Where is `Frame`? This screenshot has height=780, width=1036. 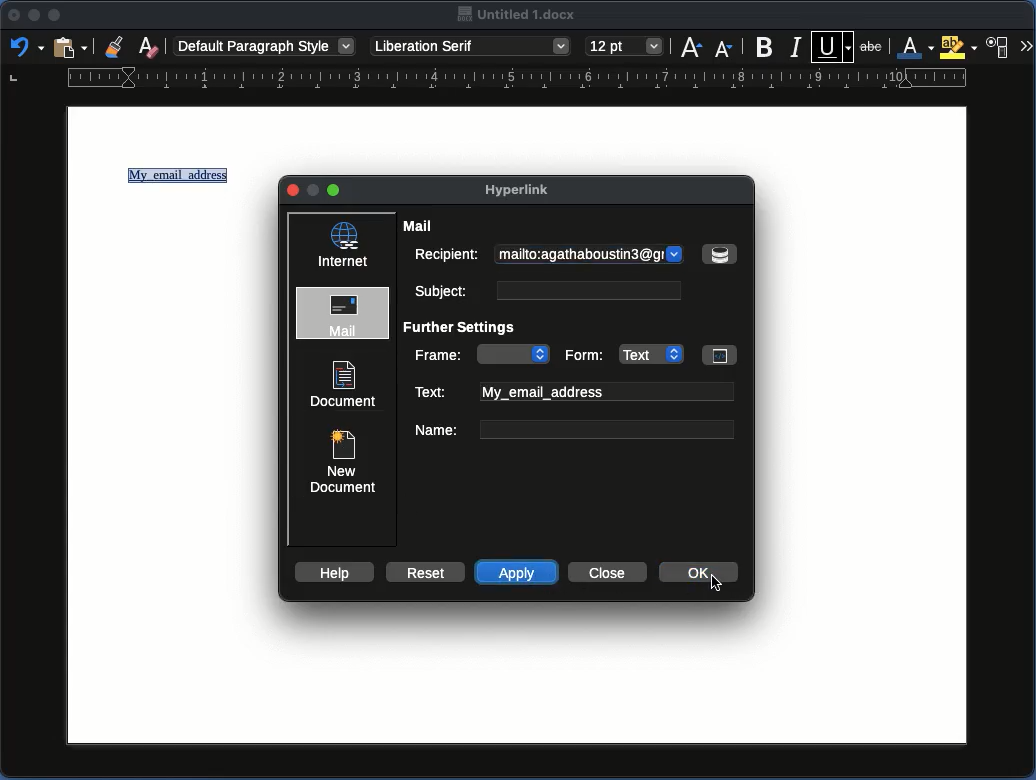
Frame is located at coordinates (482, 354).